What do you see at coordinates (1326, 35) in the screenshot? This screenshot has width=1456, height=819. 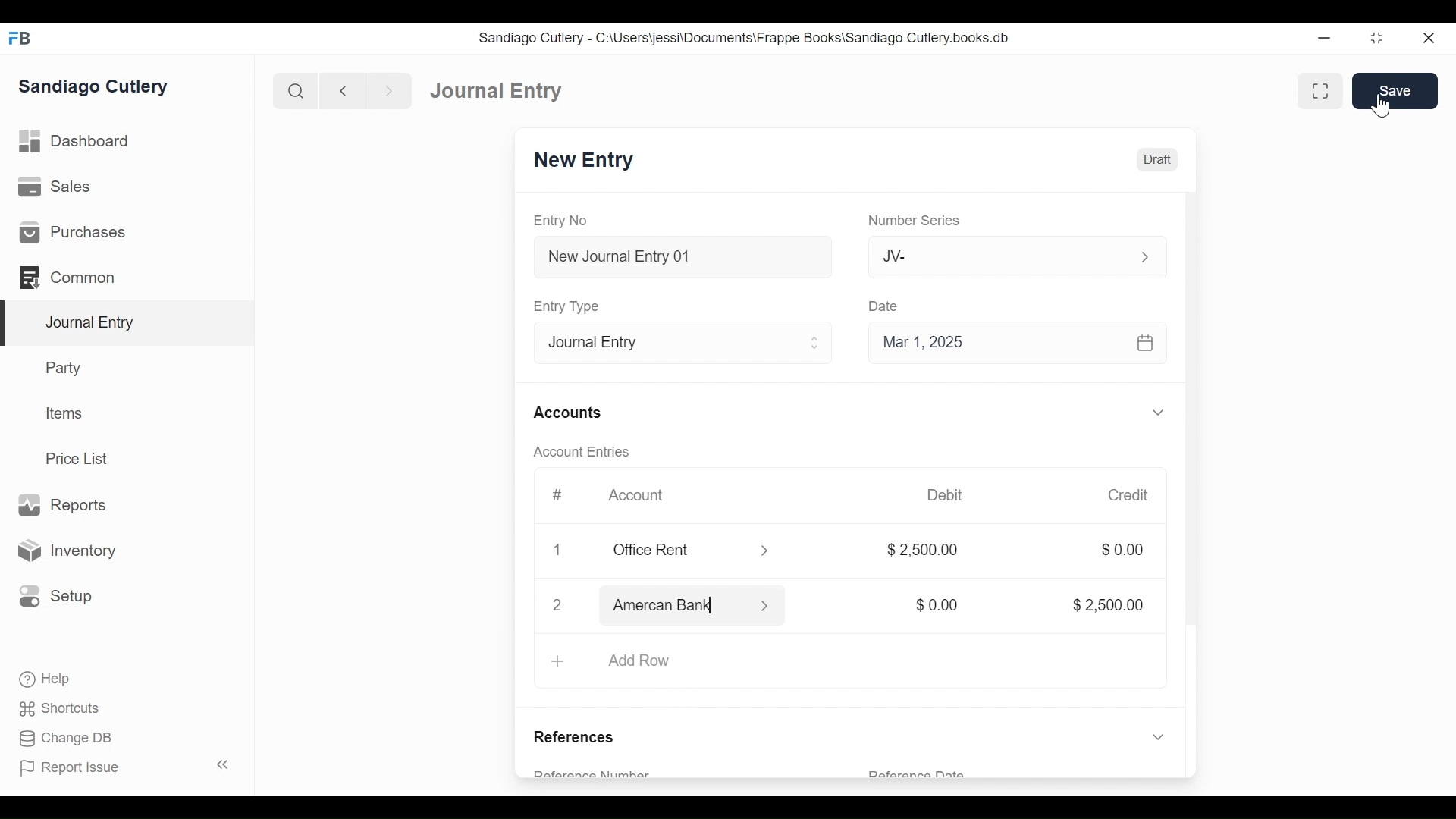 I see `minimize` at bounding box center [1326, 35].